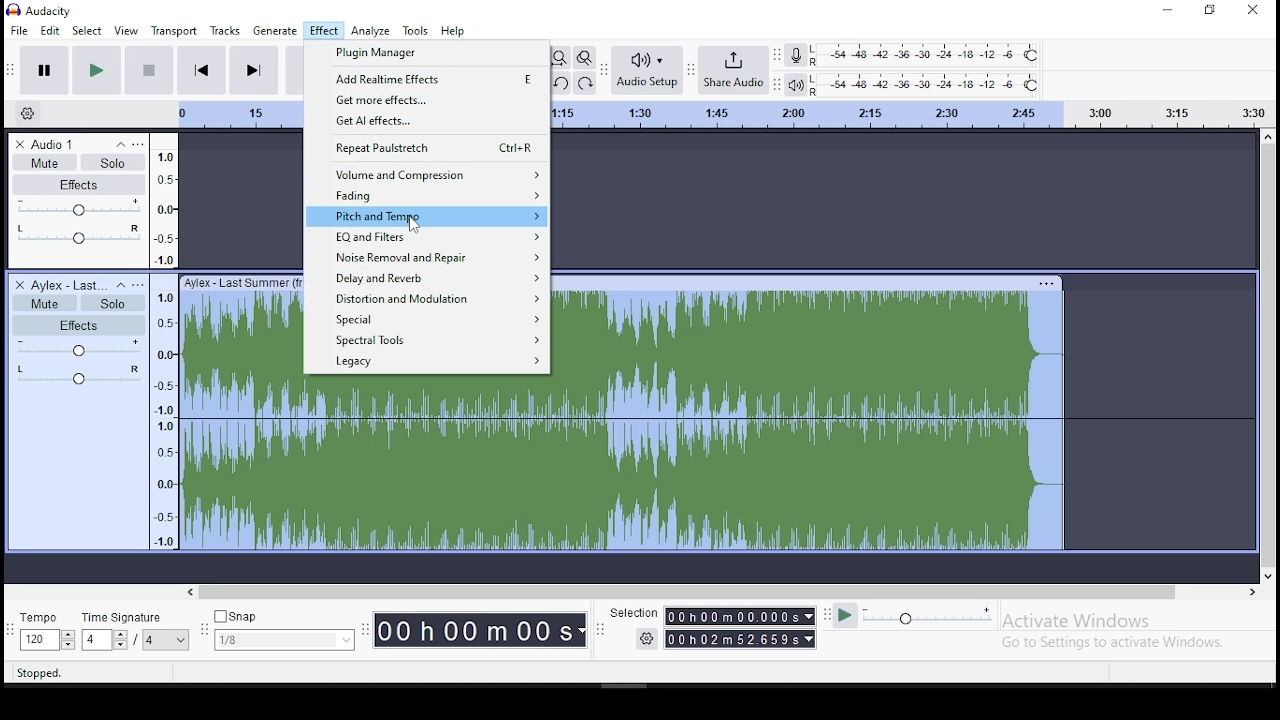 This screenshot has height=720, width=1280. I want to click on volume, so click(80, 210).